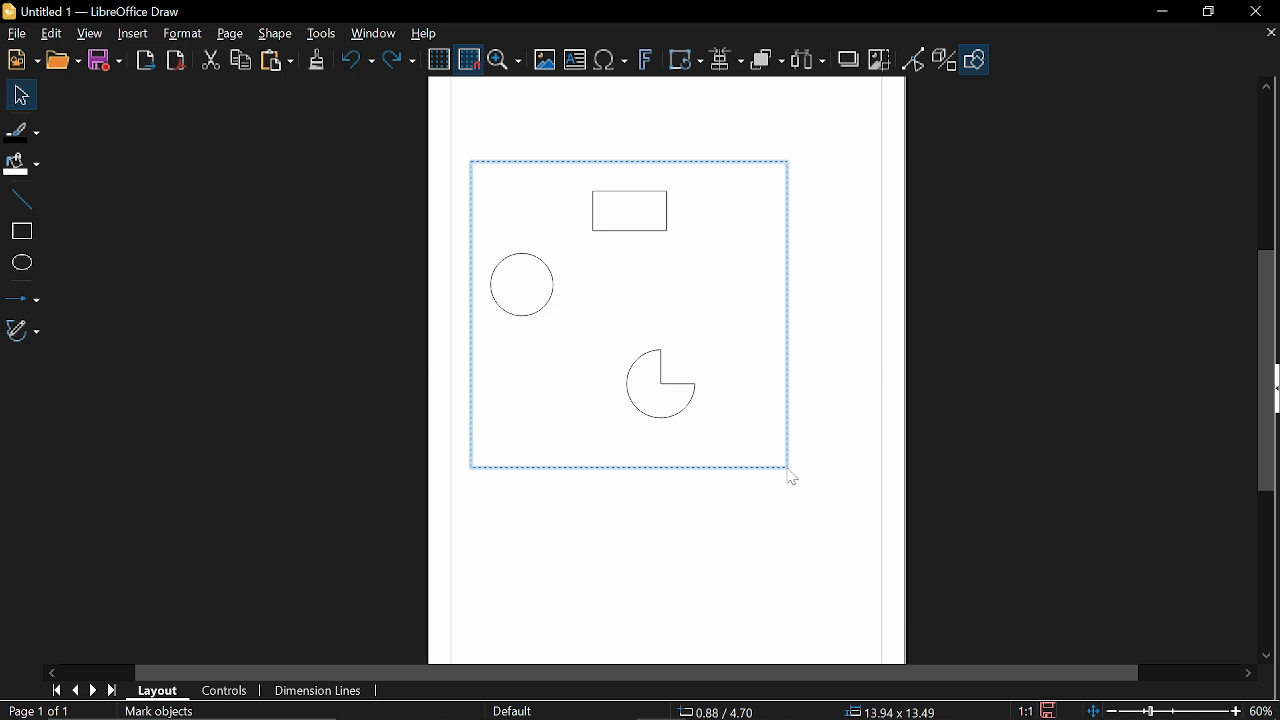 The width and height of the screenshot is (1280, 720). What do you see at coordinates (1261, 710) in the screenshot?
I see `60% (Current zoom)` at bounding box center [1261, 710].